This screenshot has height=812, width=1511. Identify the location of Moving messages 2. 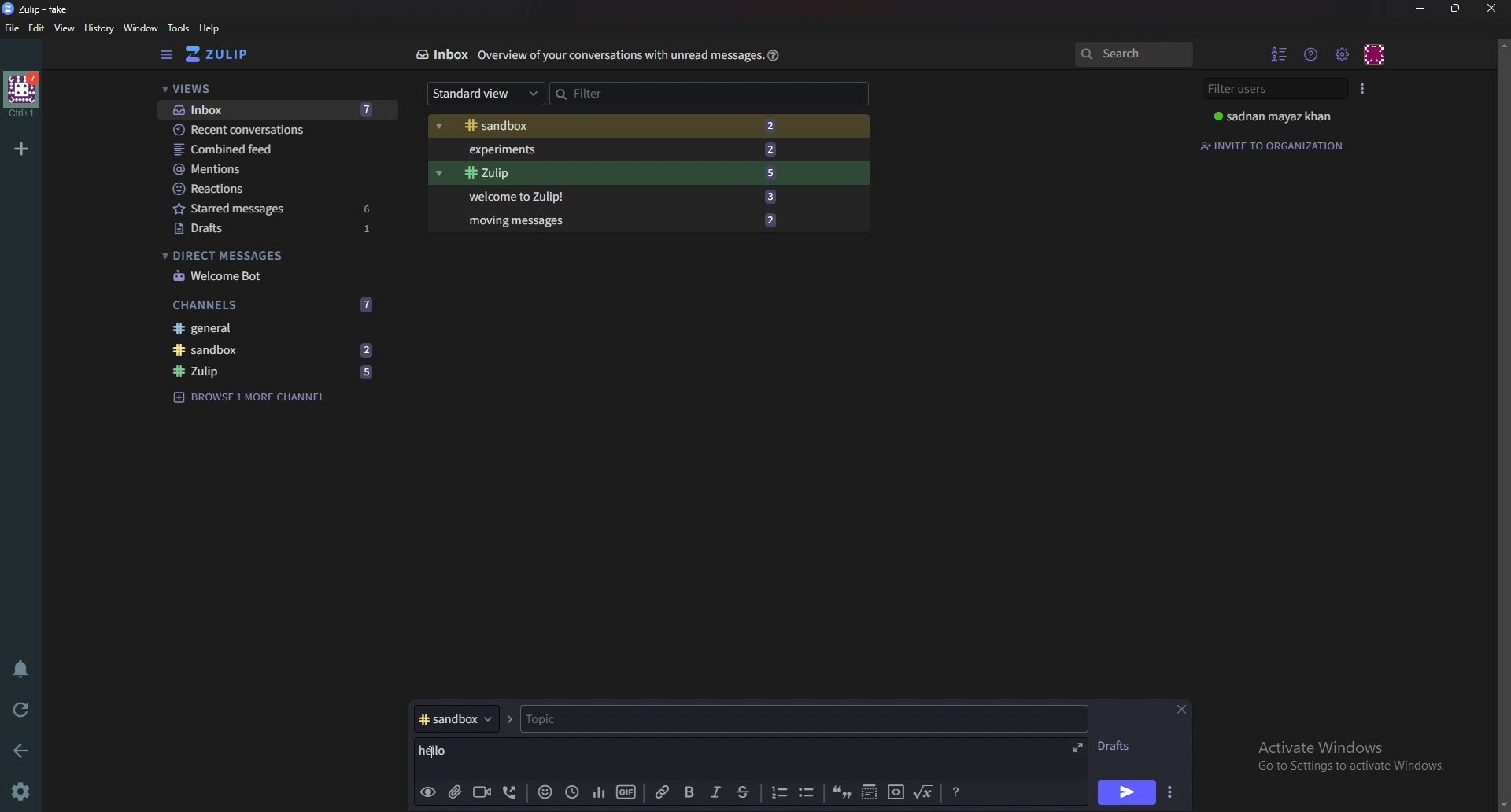
(619, 218).